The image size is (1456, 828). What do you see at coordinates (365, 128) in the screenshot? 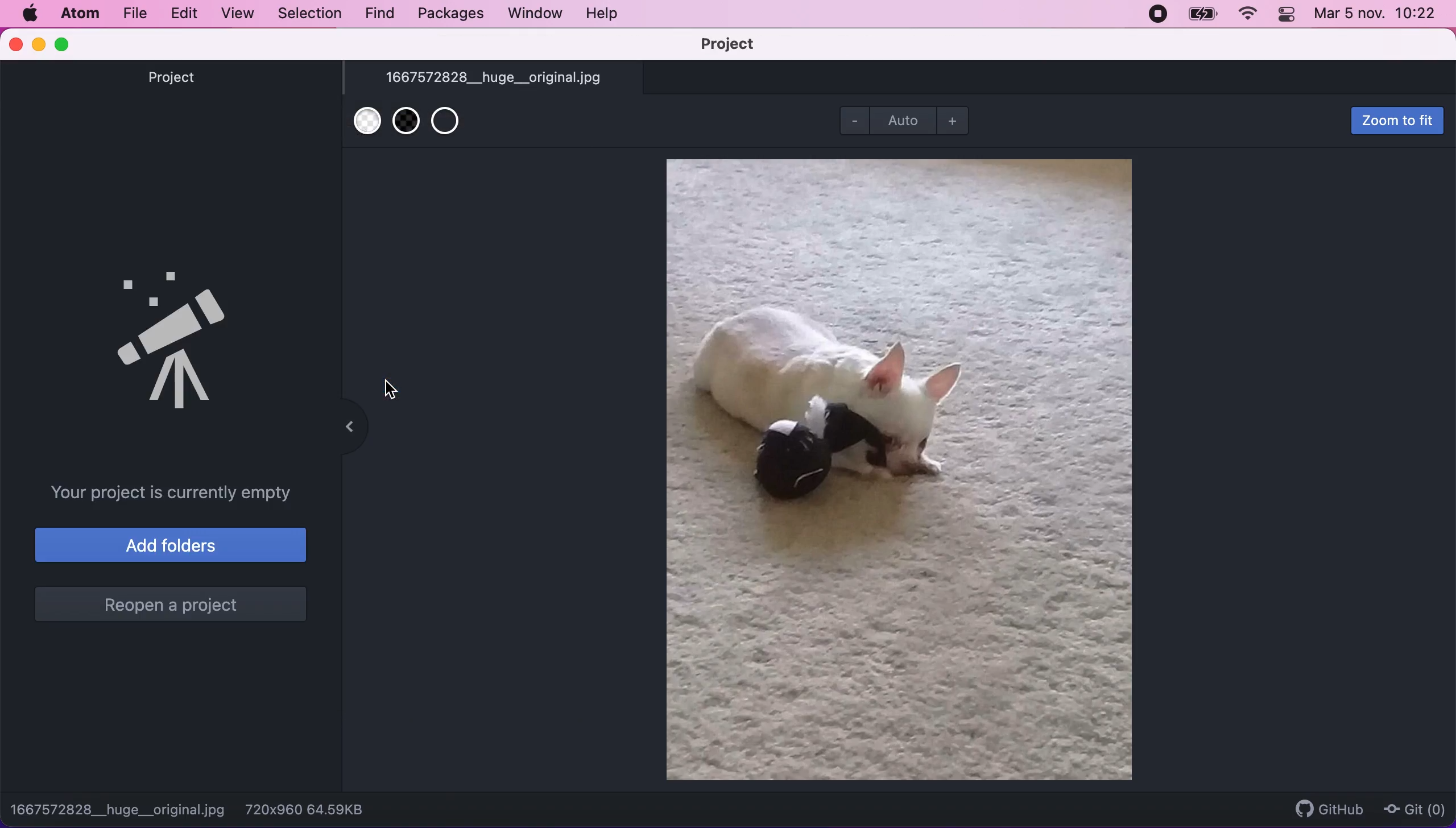
I see `use white transparent background` at bounding box center [365, 128].